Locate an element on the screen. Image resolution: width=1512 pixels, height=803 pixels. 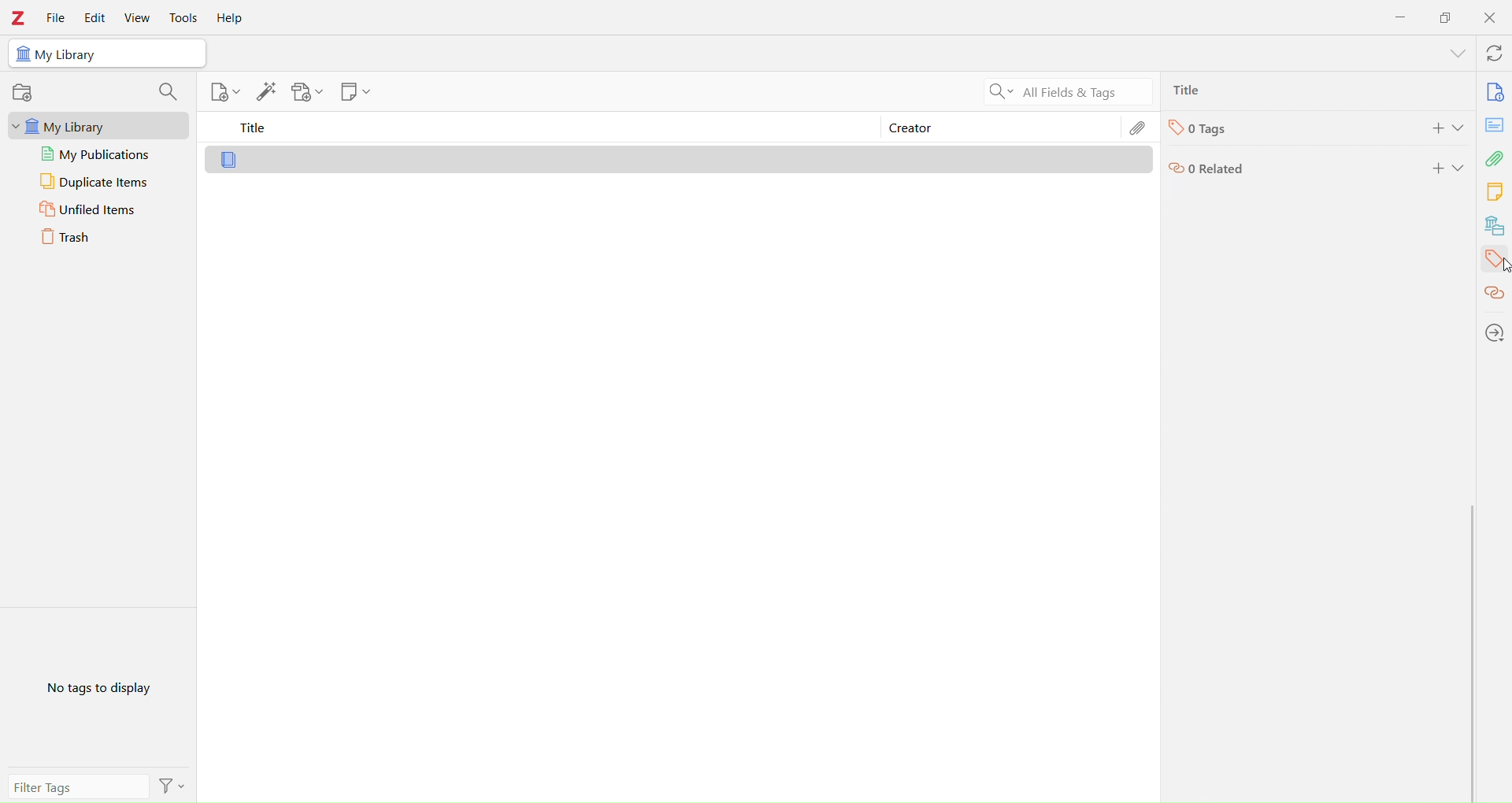
Library is located at coordinates (446, 158).